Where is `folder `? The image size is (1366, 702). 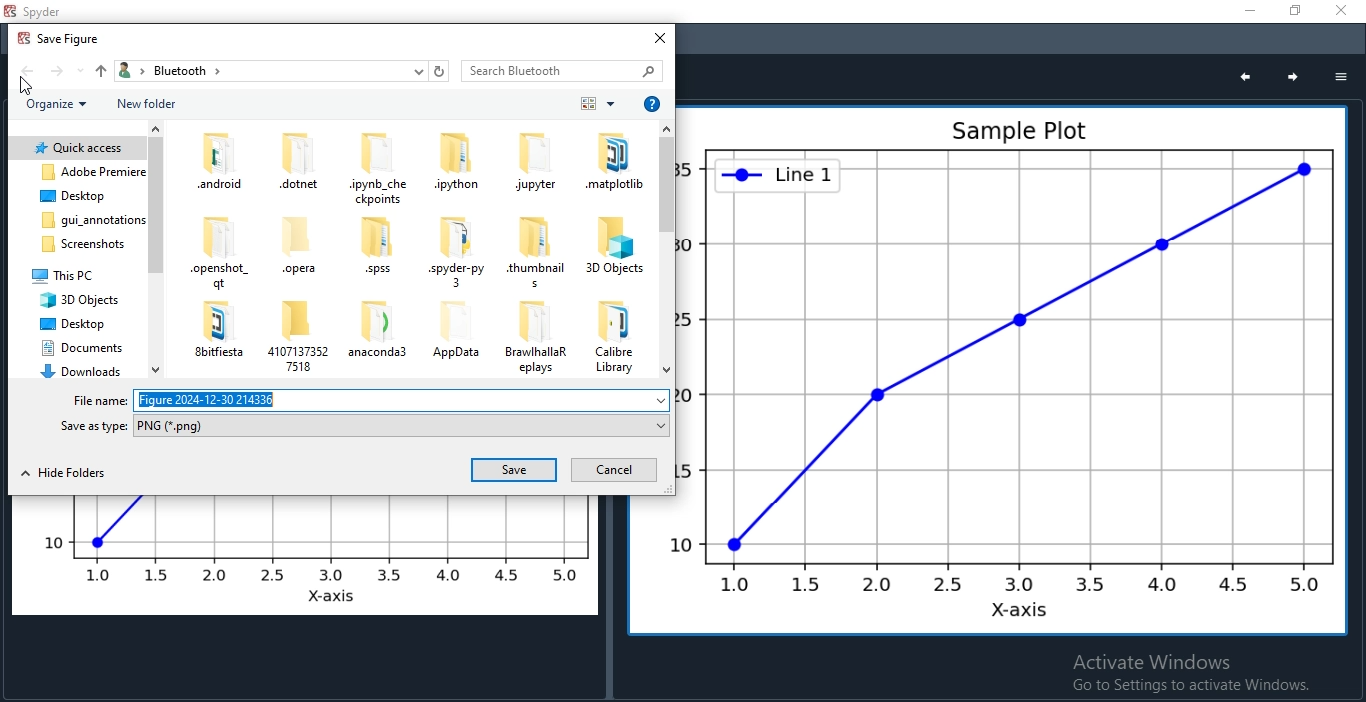 folder  is located at coordinates (76, 171).